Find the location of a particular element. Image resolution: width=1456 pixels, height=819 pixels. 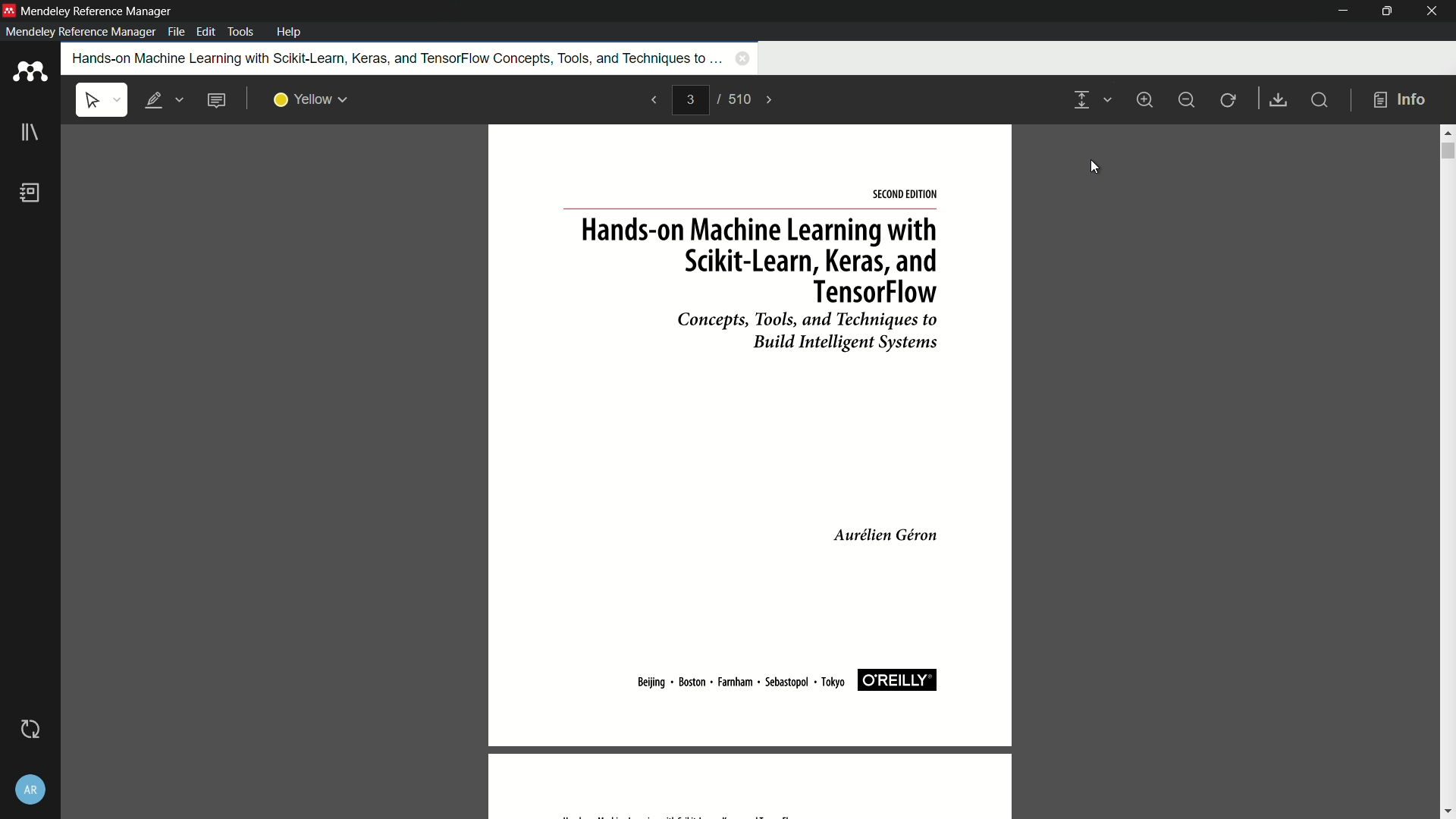

save is located at coordinates (1276, 99).